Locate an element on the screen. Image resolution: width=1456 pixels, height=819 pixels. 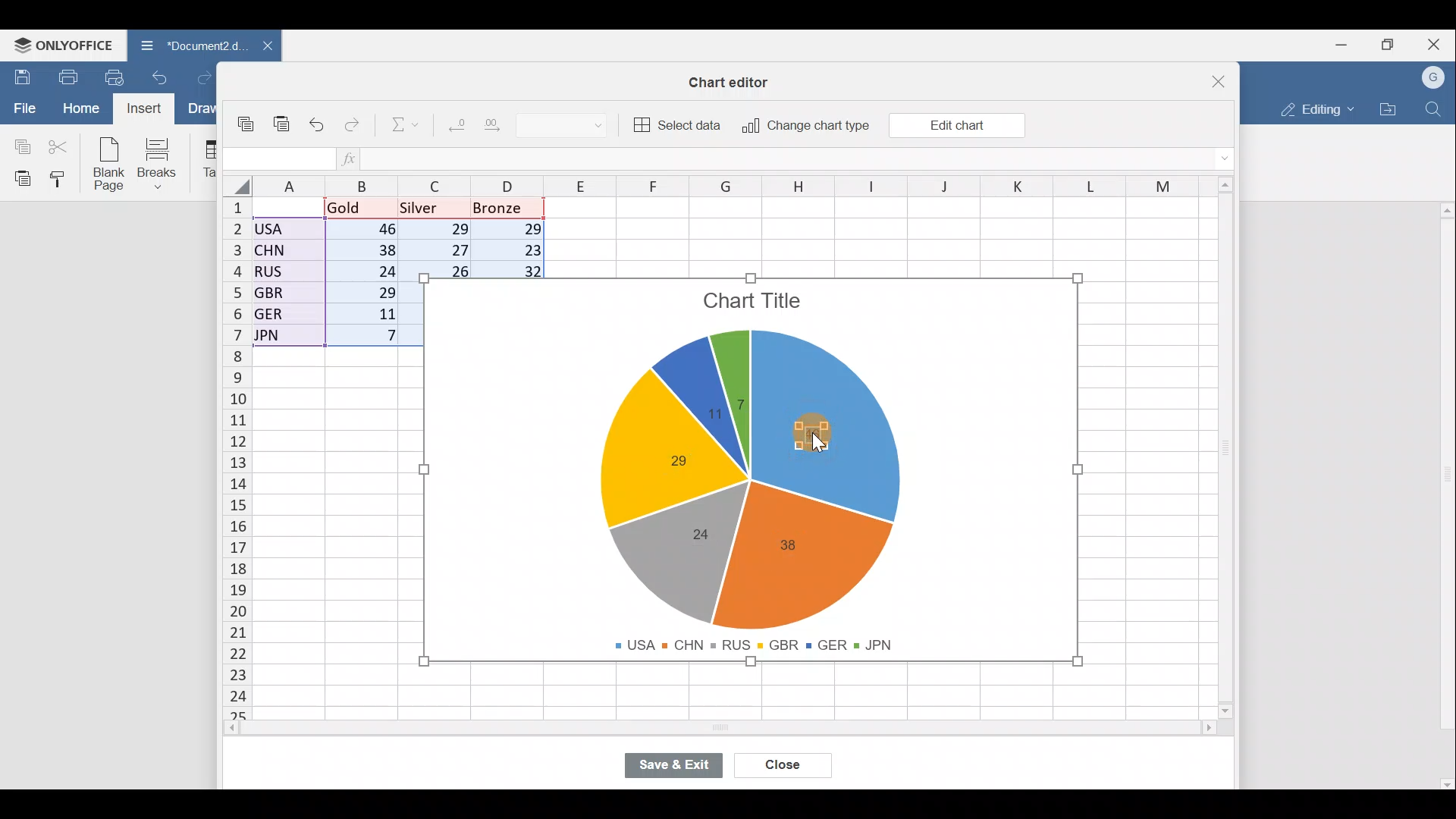
Close is located at coordinates (1438, 43).